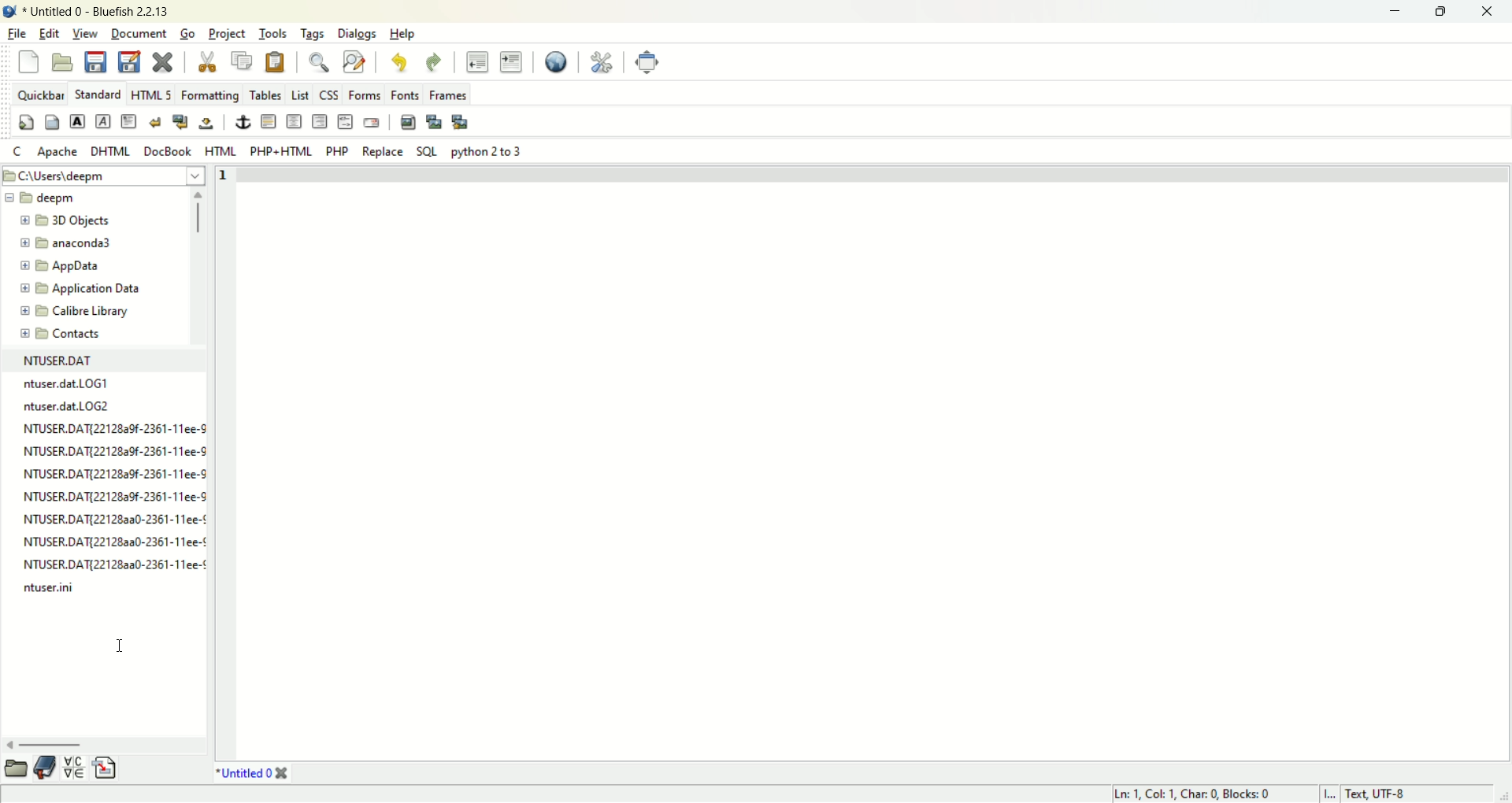 This screenshot has height=803, width=1512. I want to click on document, so click(137, 33).